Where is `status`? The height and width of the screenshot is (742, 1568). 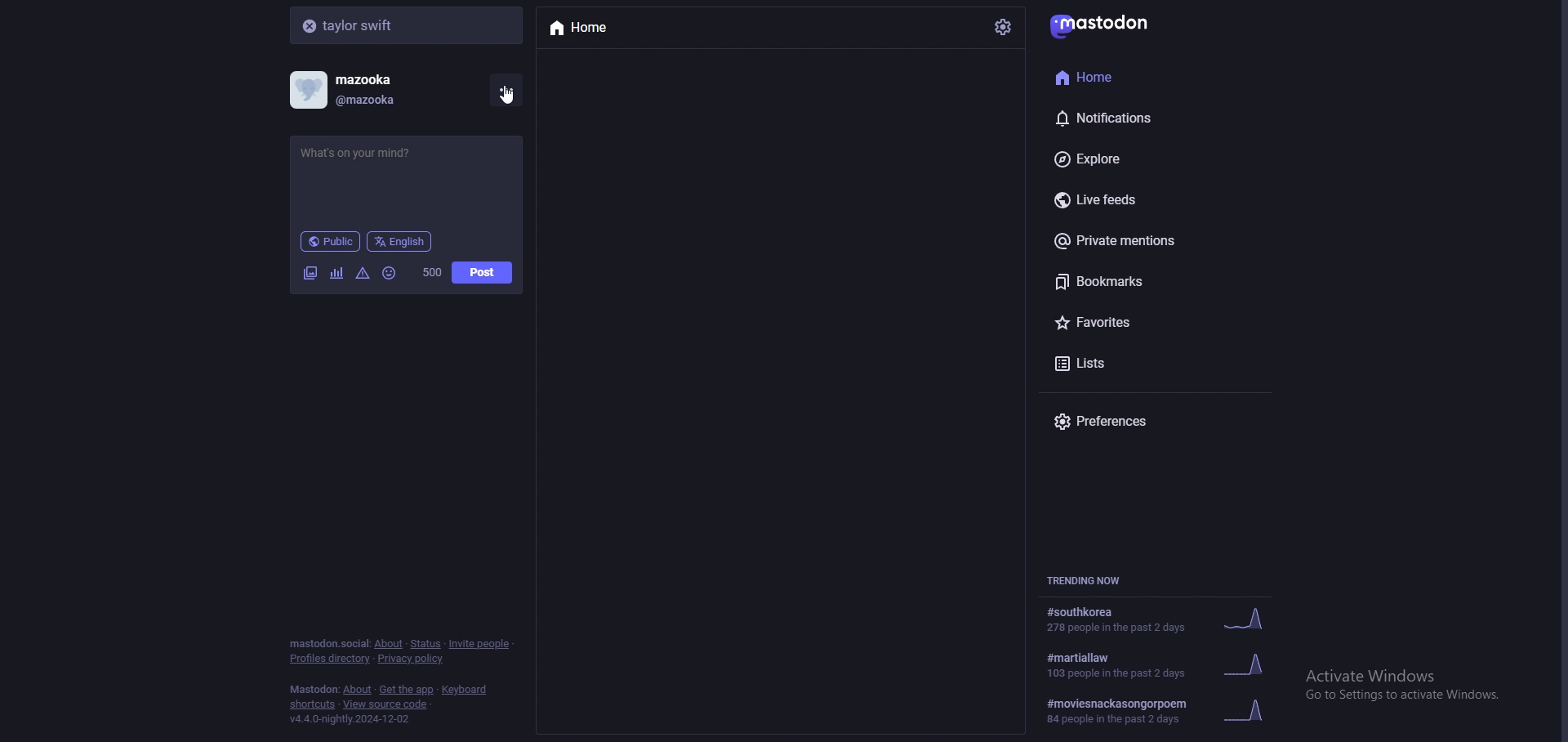 status is located at coordinates (372, 159).